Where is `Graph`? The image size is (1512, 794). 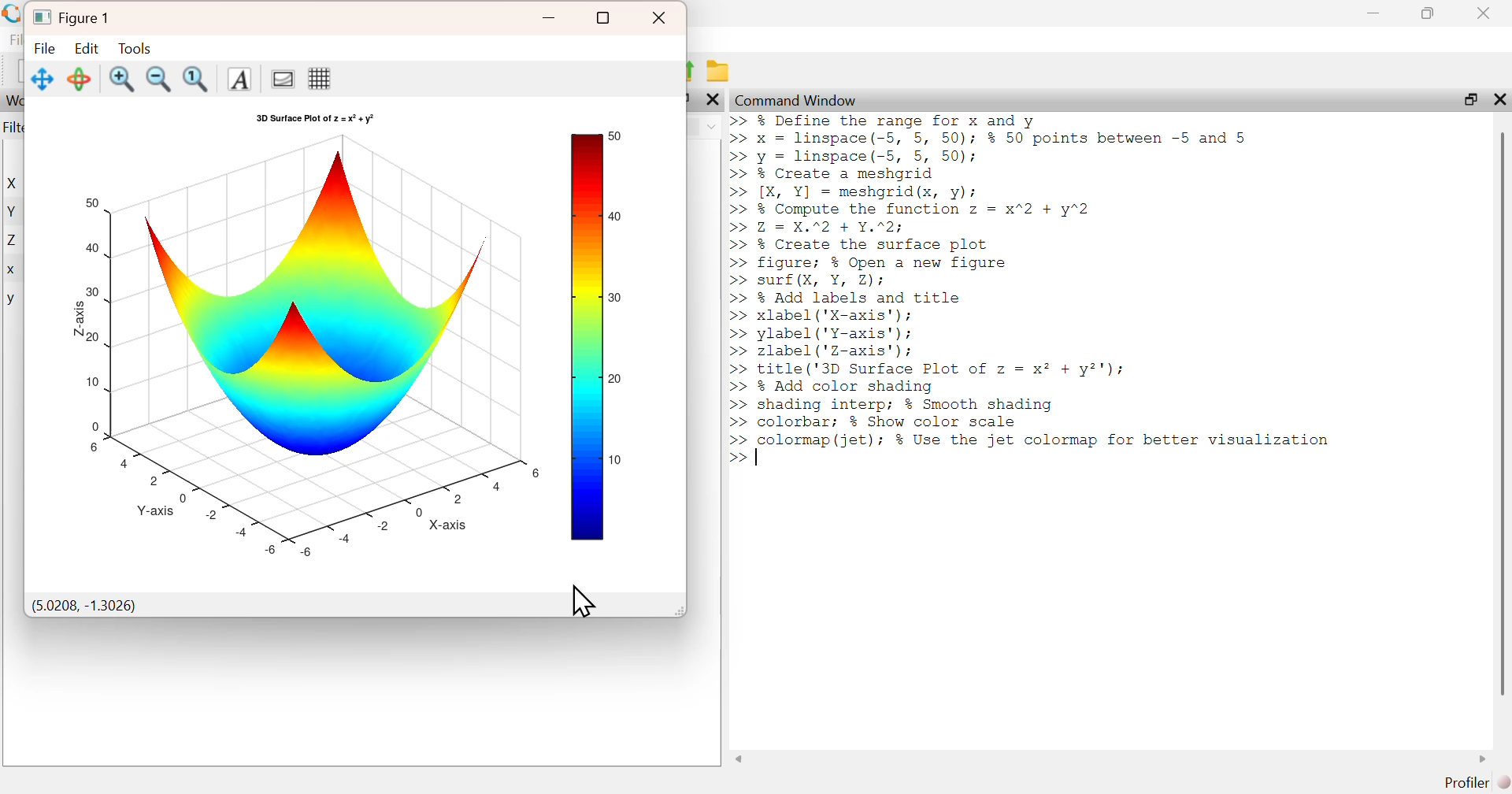
Graph is located at coordinates (364, 344).